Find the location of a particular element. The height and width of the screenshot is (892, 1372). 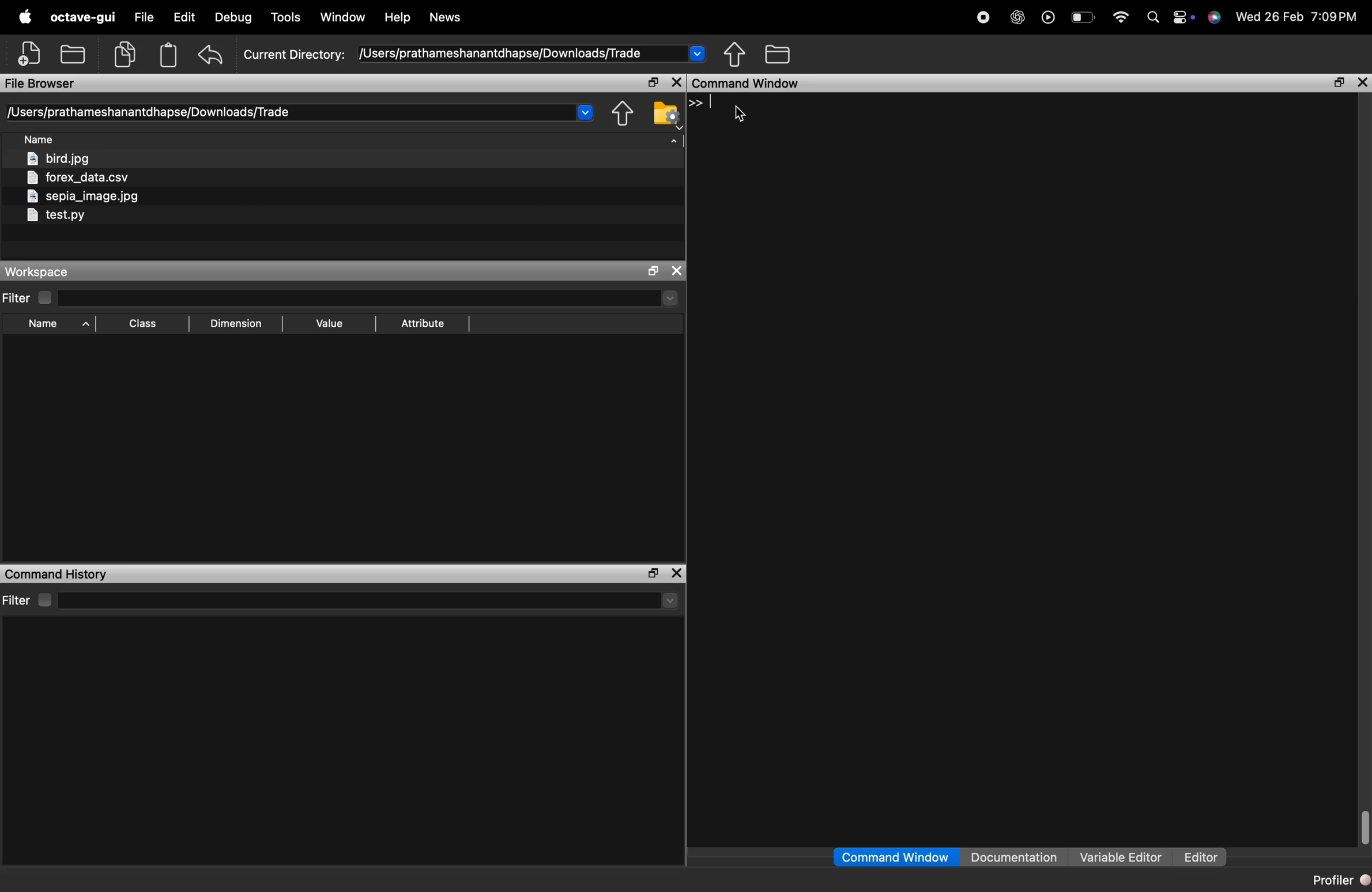

close is located at coordinates (677, 270).